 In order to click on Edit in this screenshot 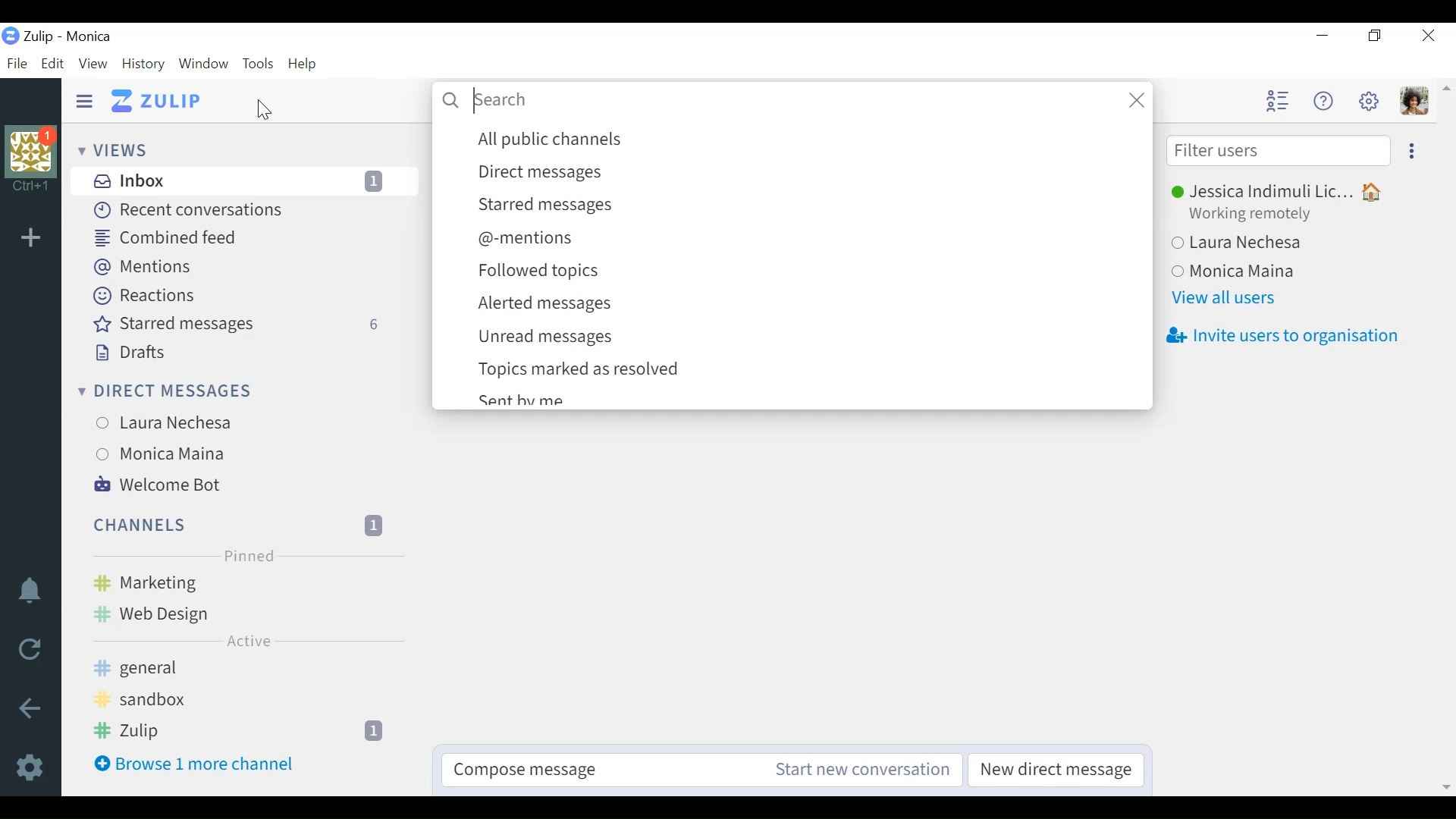, I will do `click(54, 64)`.